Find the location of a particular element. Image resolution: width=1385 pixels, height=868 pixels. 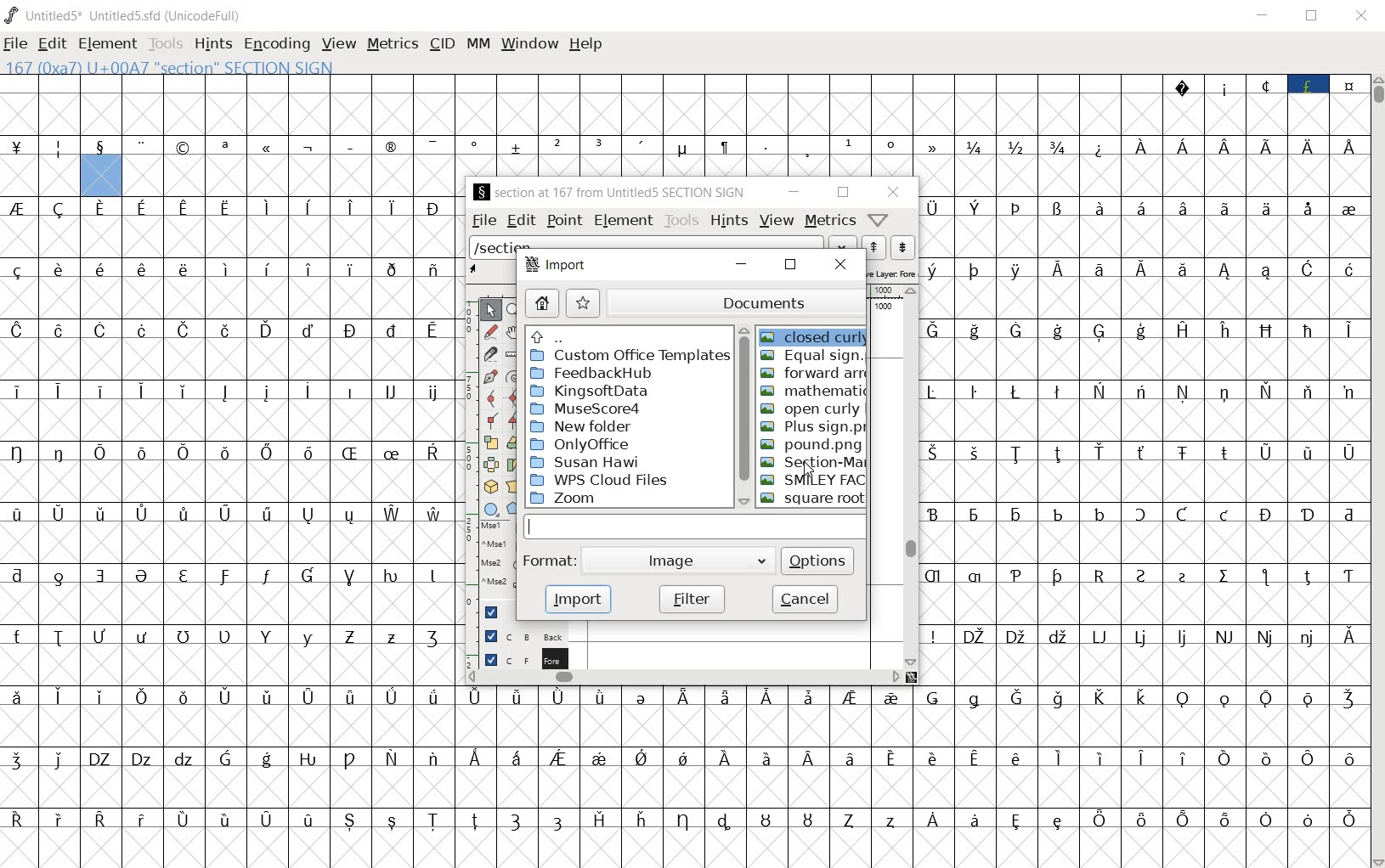

show the next word on the list is located at coordinates (876, 247).